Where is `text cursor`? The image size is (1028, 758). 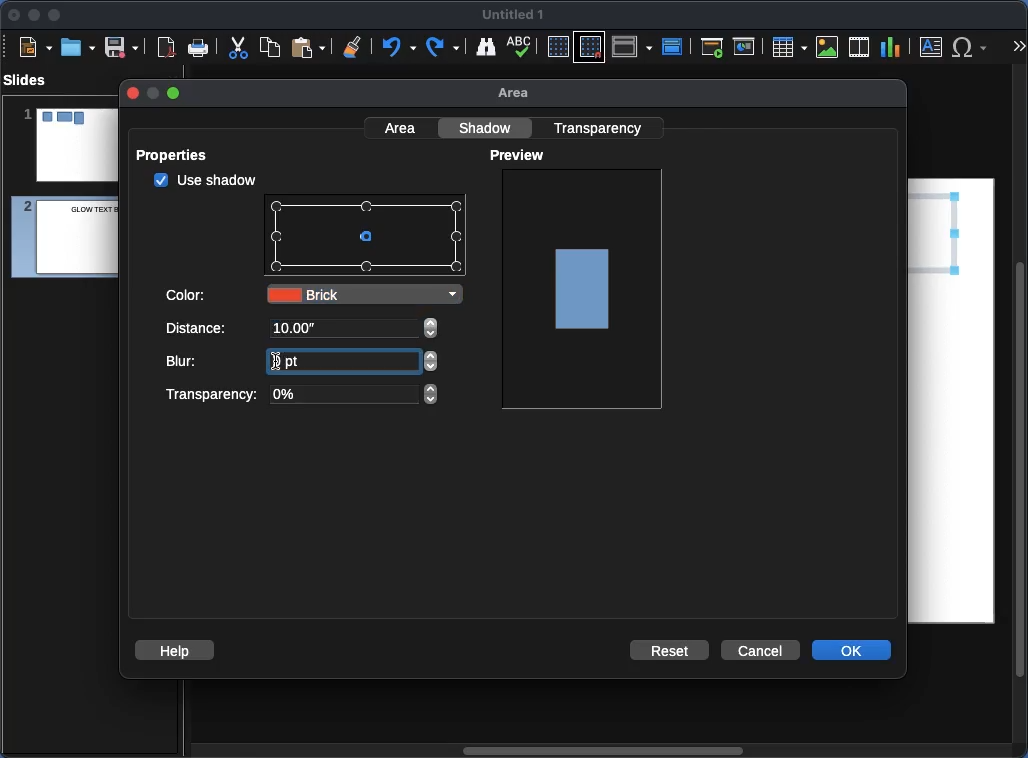 text cursor is located at coordinates (275, 361).